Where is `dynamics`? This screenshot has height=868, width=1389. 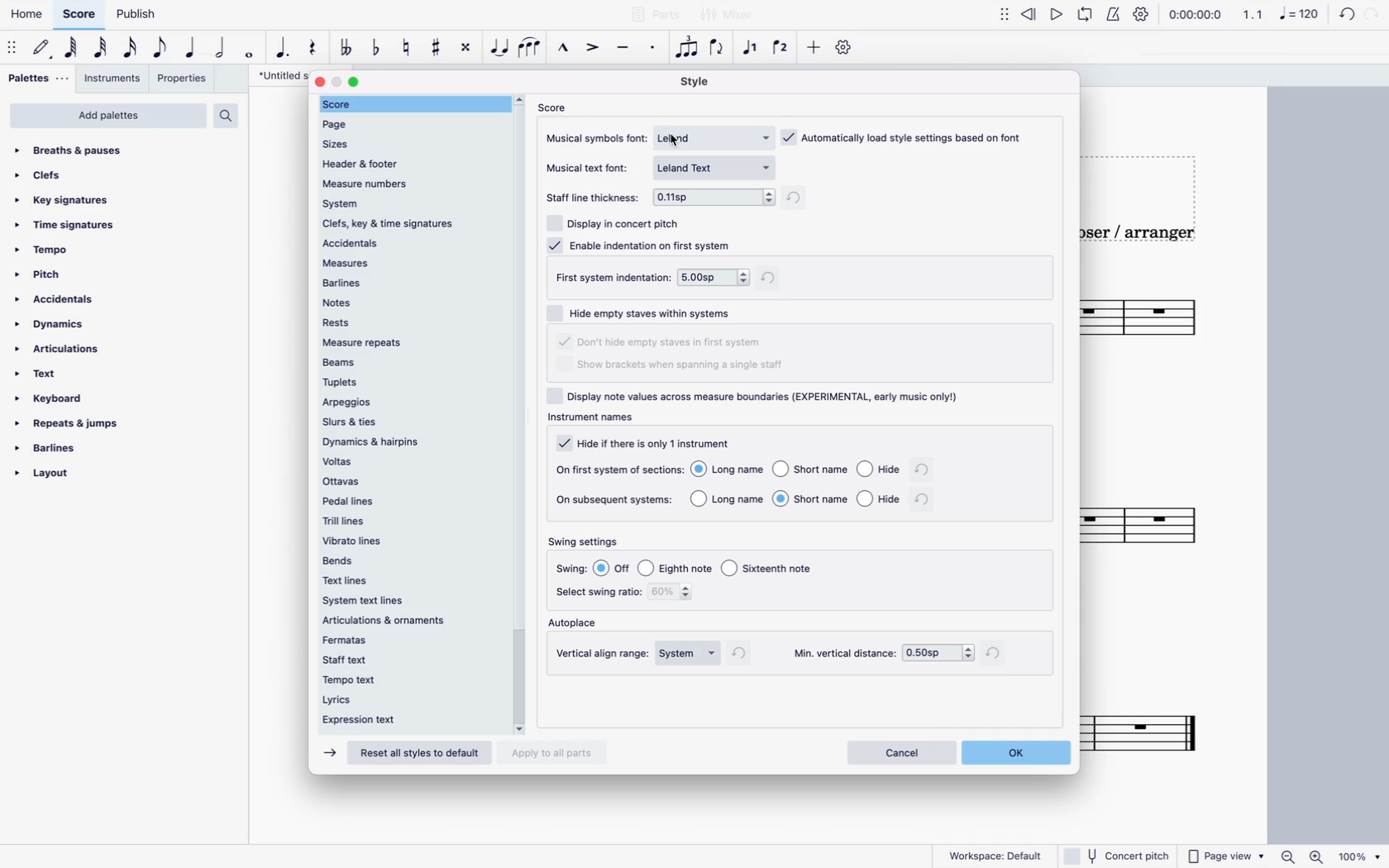 dynamics is located at coordinates (53, 326).